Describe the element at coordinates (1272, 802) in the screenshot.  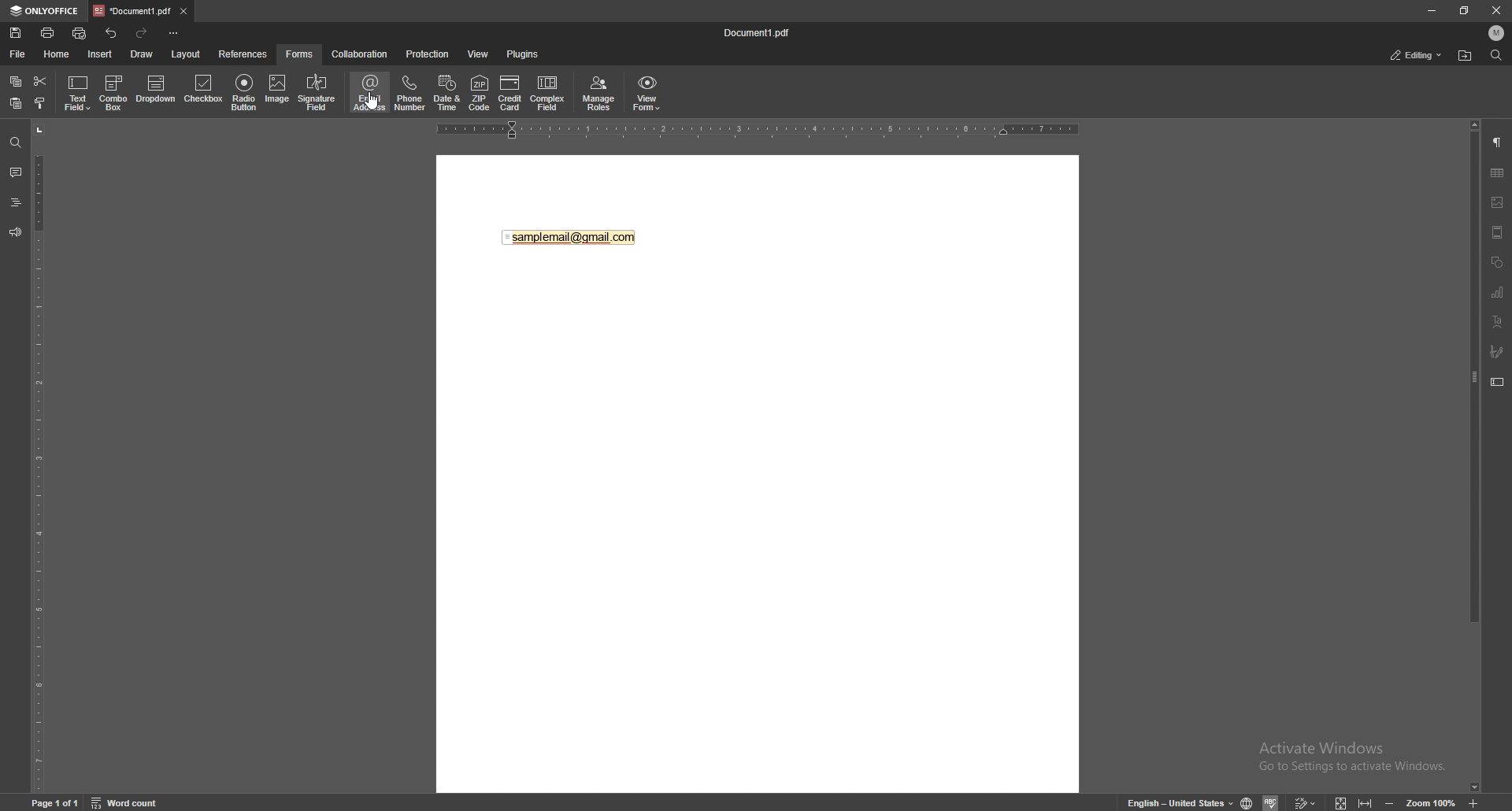
I see `spell check` at that location.